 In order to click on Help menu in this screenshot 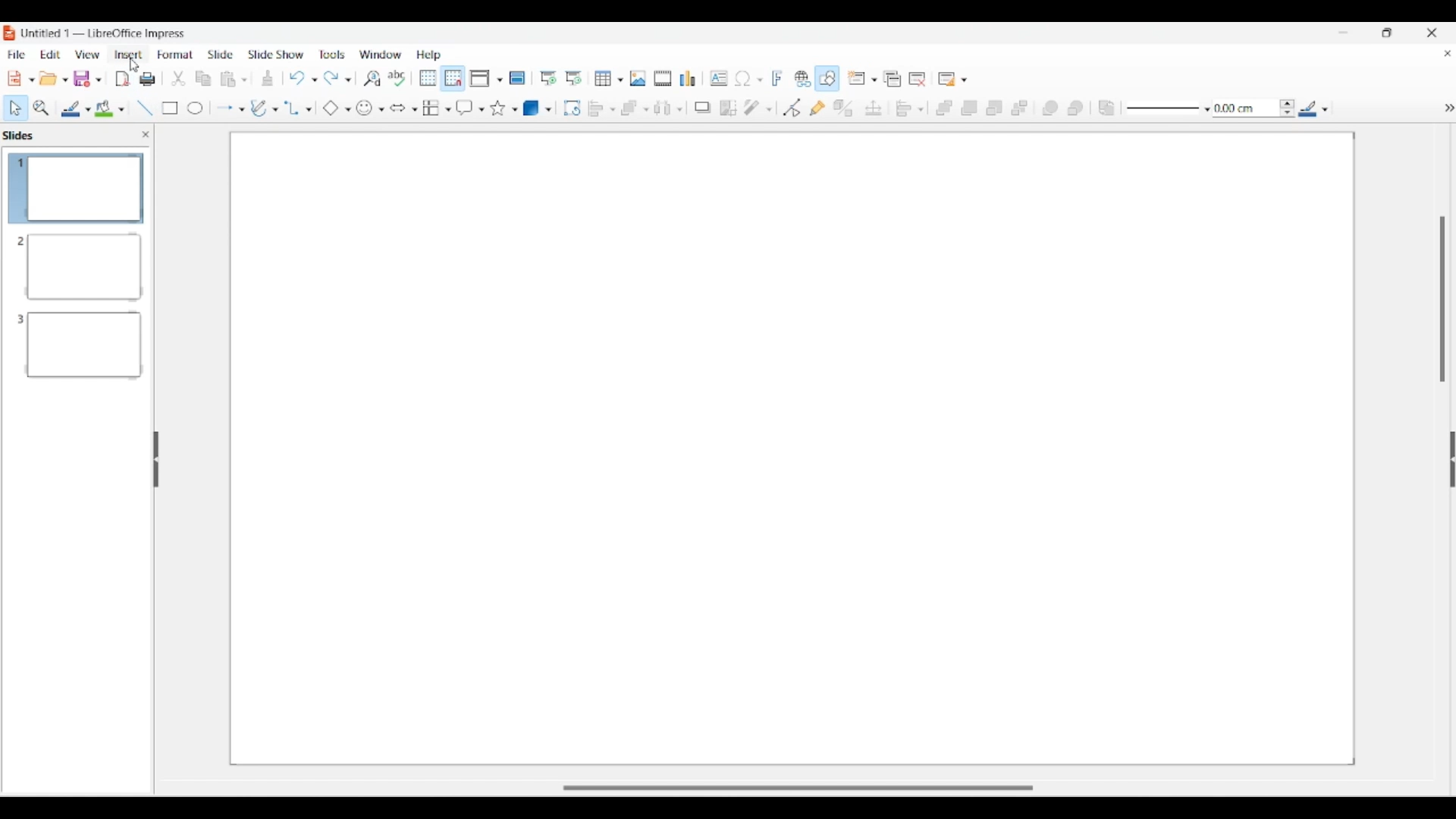, I will do `click(429, 55)`.